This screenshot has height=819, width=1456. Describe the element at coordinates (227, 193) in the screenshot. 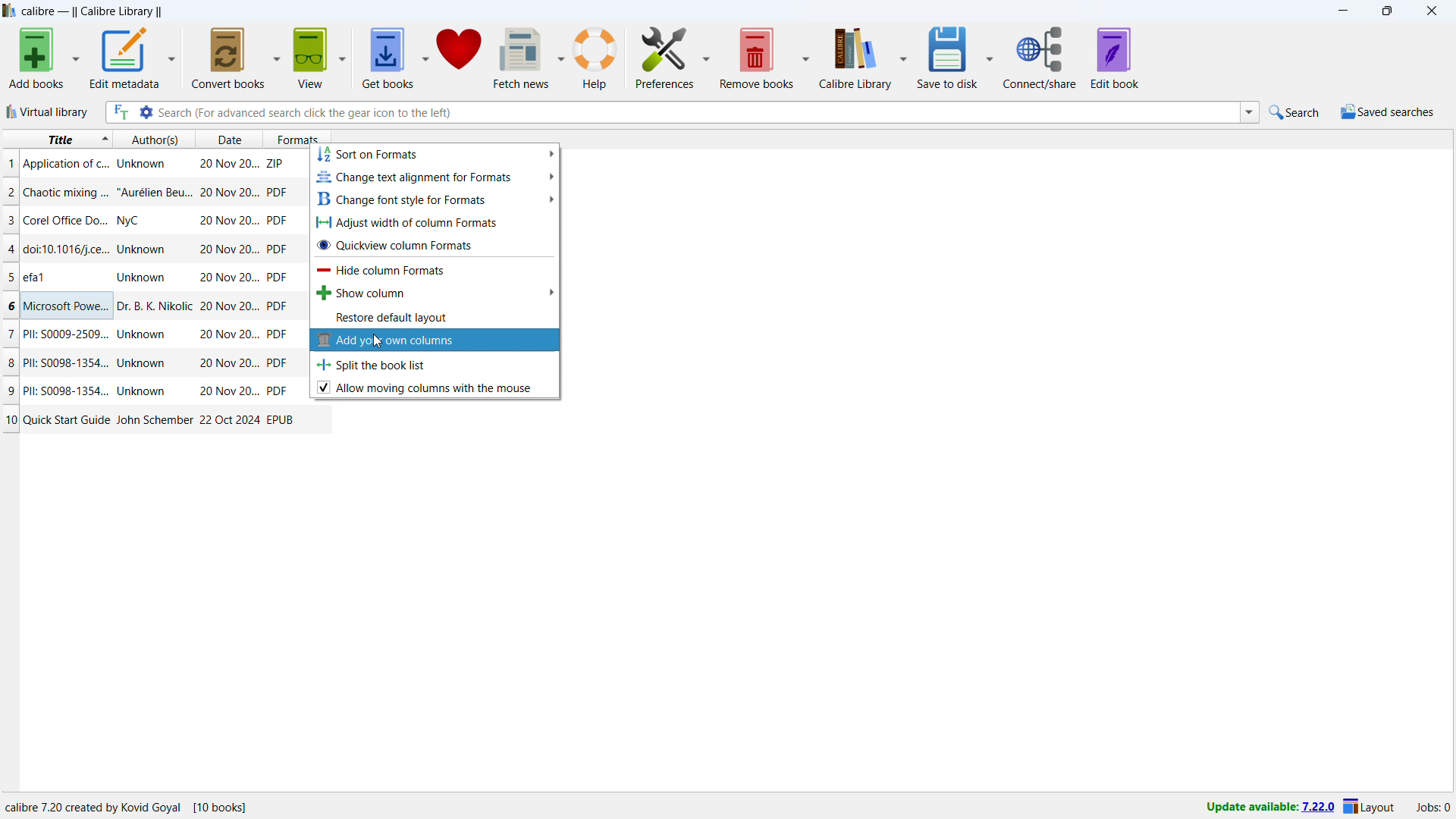

I see `date` at that location.